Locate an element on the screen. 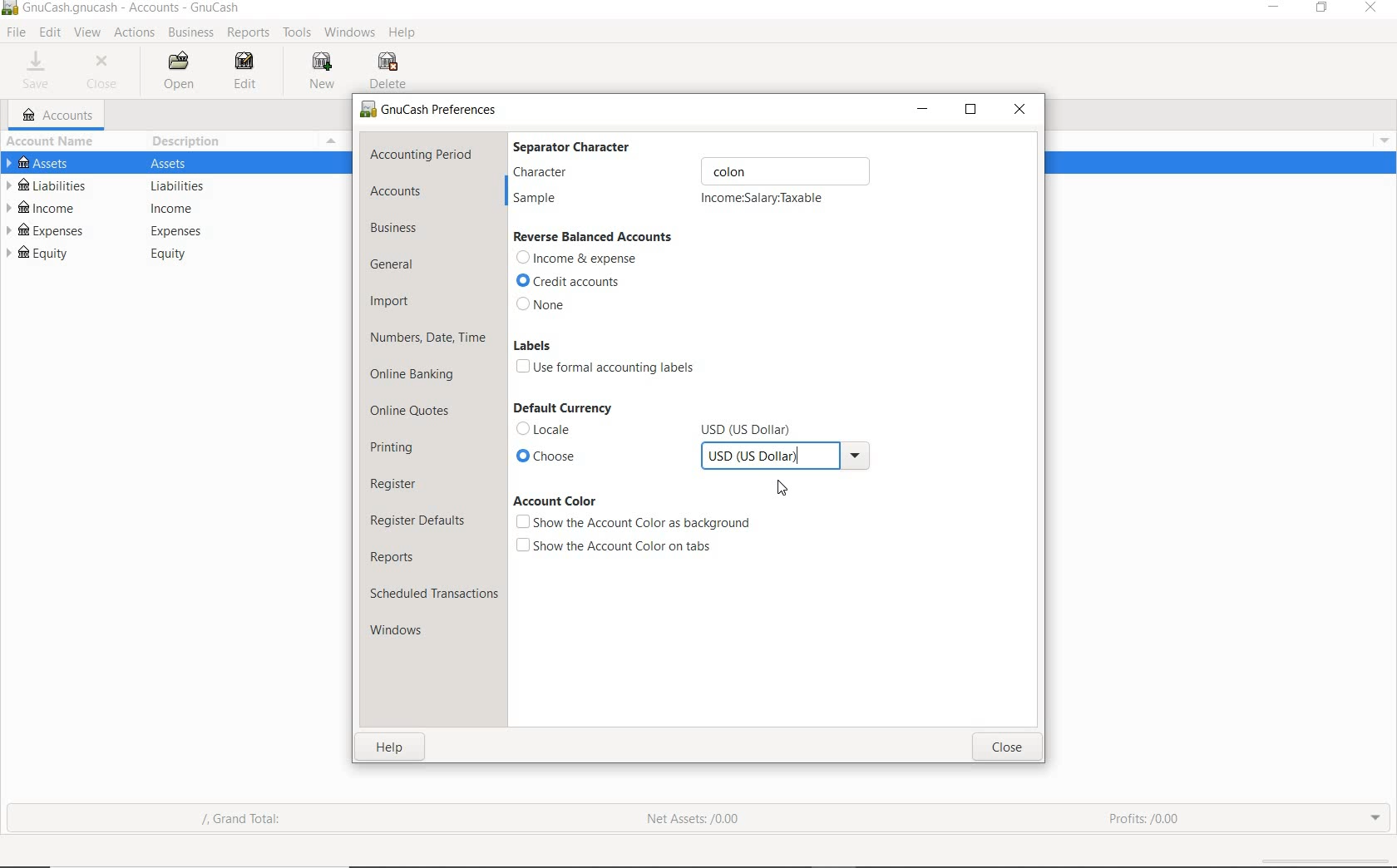 This screenshot has width=1397, height=868.  is located at coordinates (175, 258).